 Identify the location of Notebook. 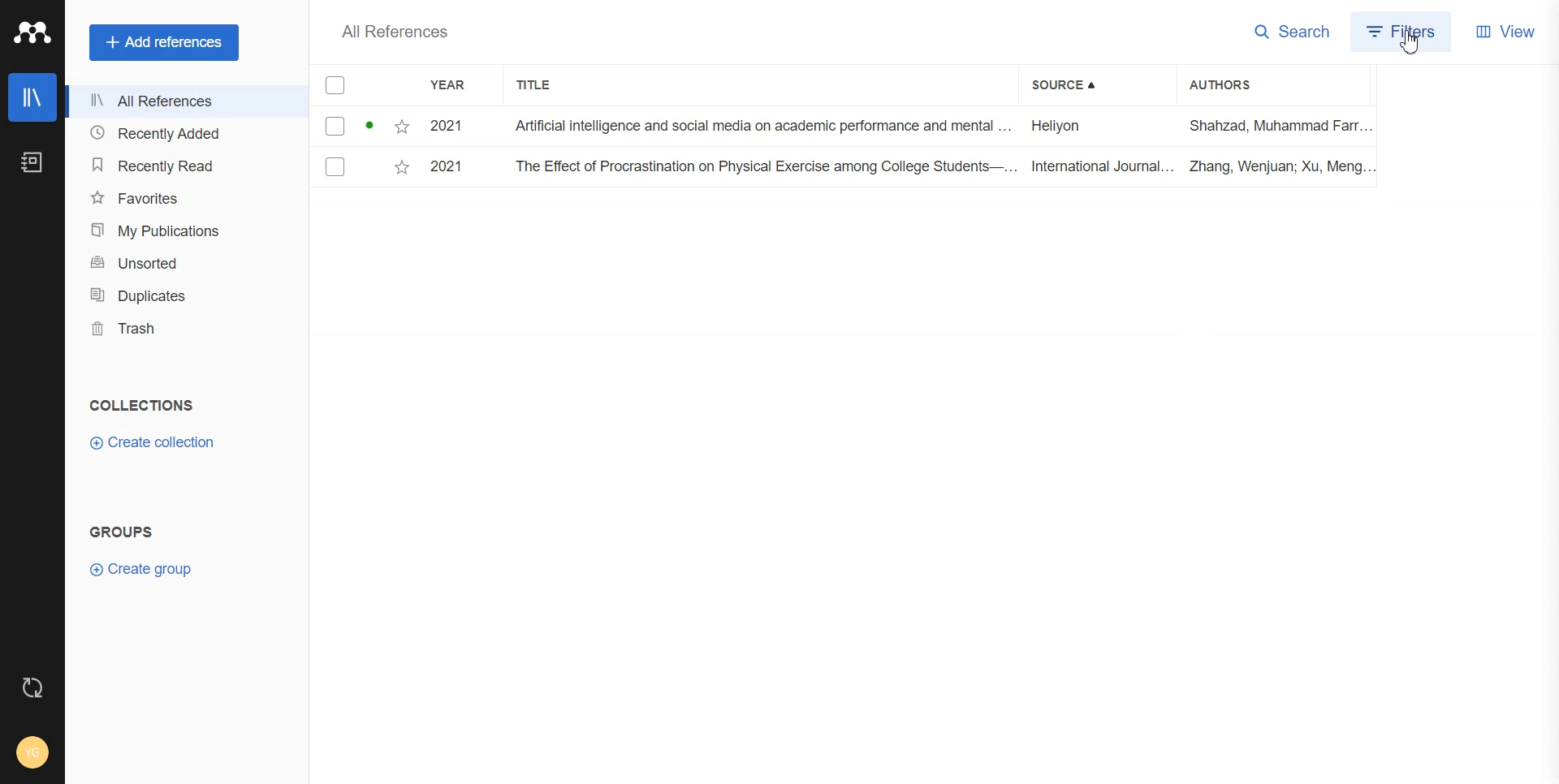
(32, 162).